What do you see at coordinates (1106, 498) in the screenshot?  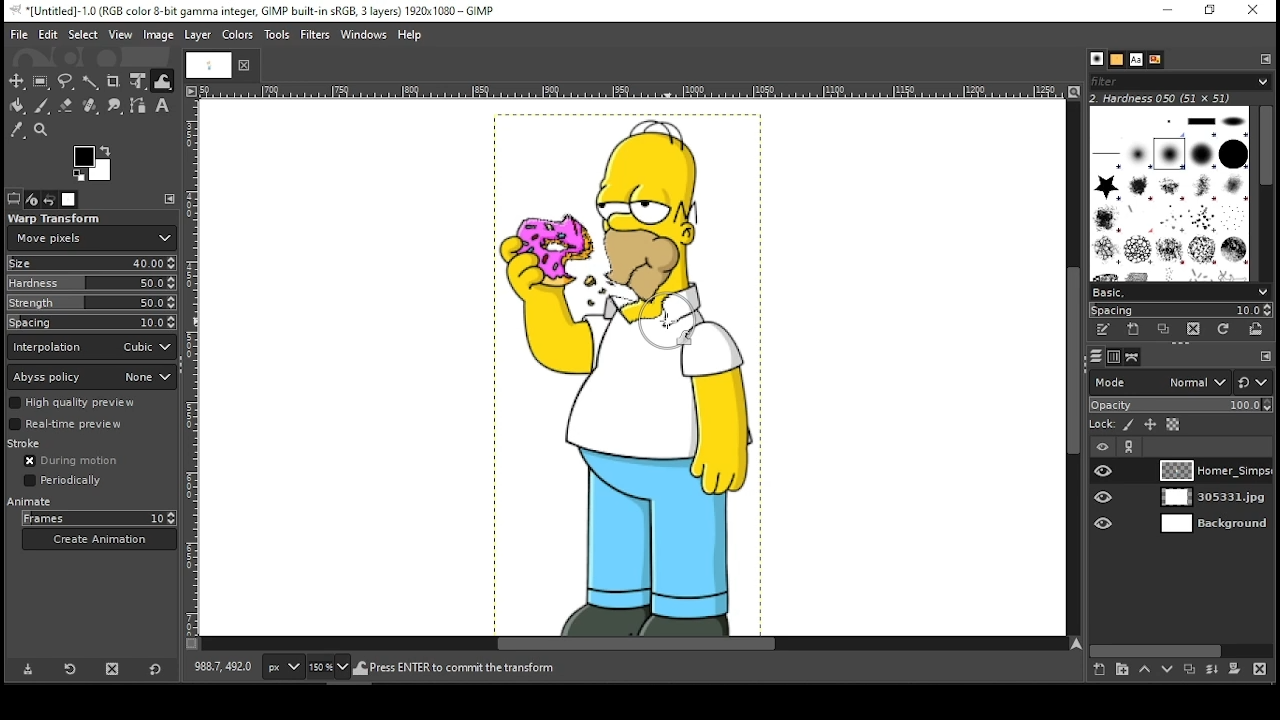 I see `layer visibility on/off` at bounding box center [1106, 498].